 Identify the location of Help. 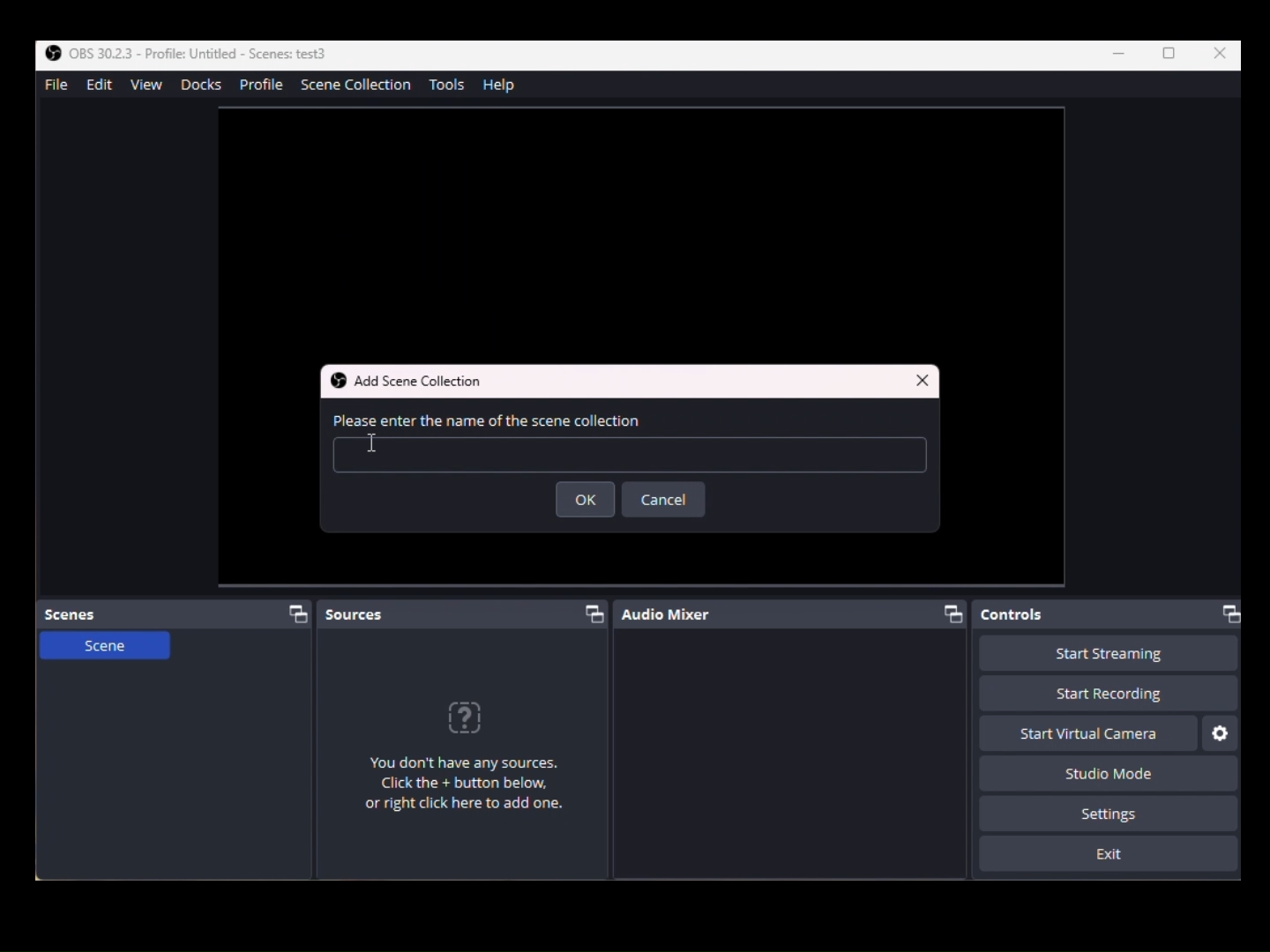
(504, 85).